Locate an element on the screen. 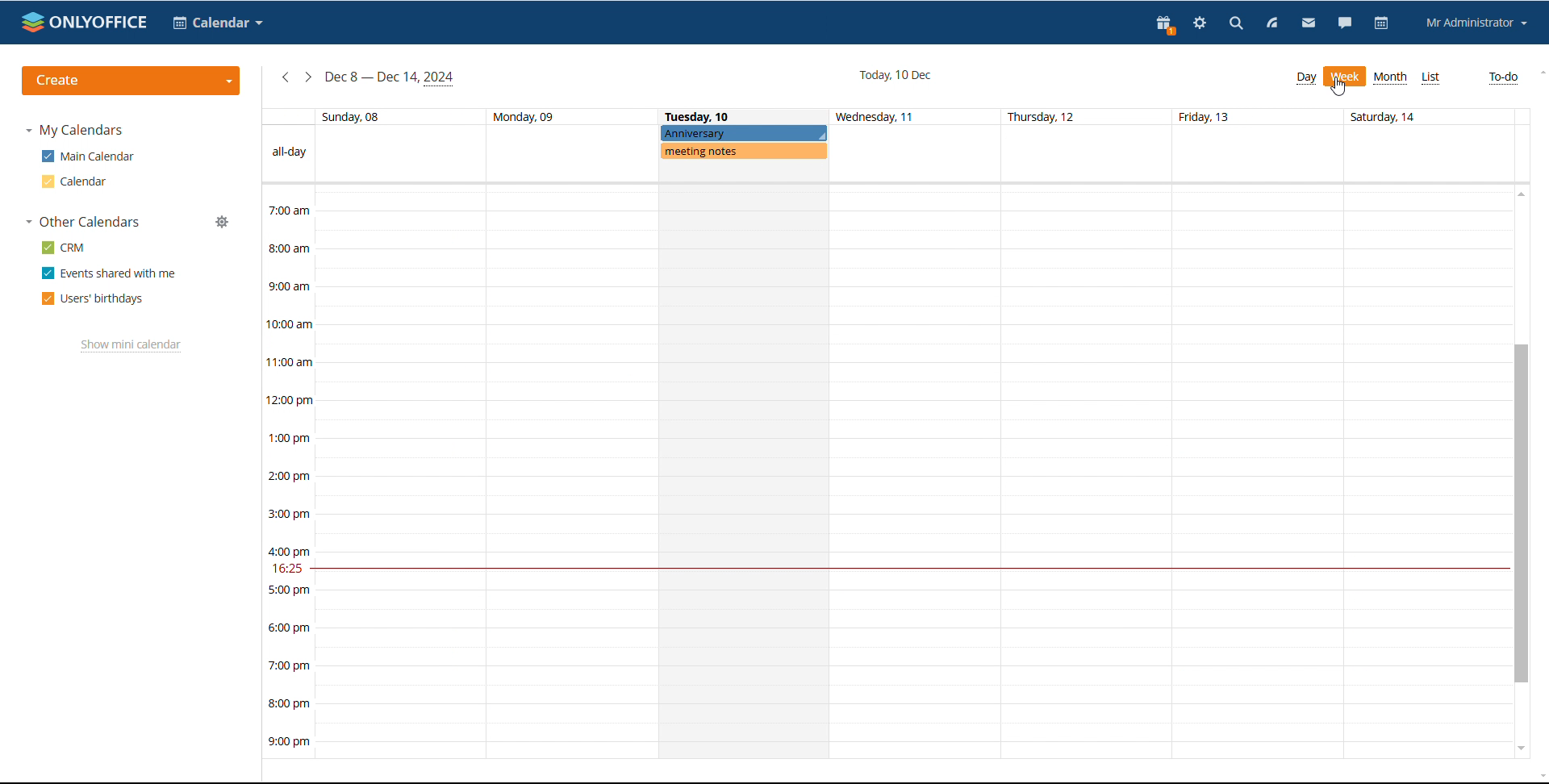  scroll up is located at coordinates (1522, 194).